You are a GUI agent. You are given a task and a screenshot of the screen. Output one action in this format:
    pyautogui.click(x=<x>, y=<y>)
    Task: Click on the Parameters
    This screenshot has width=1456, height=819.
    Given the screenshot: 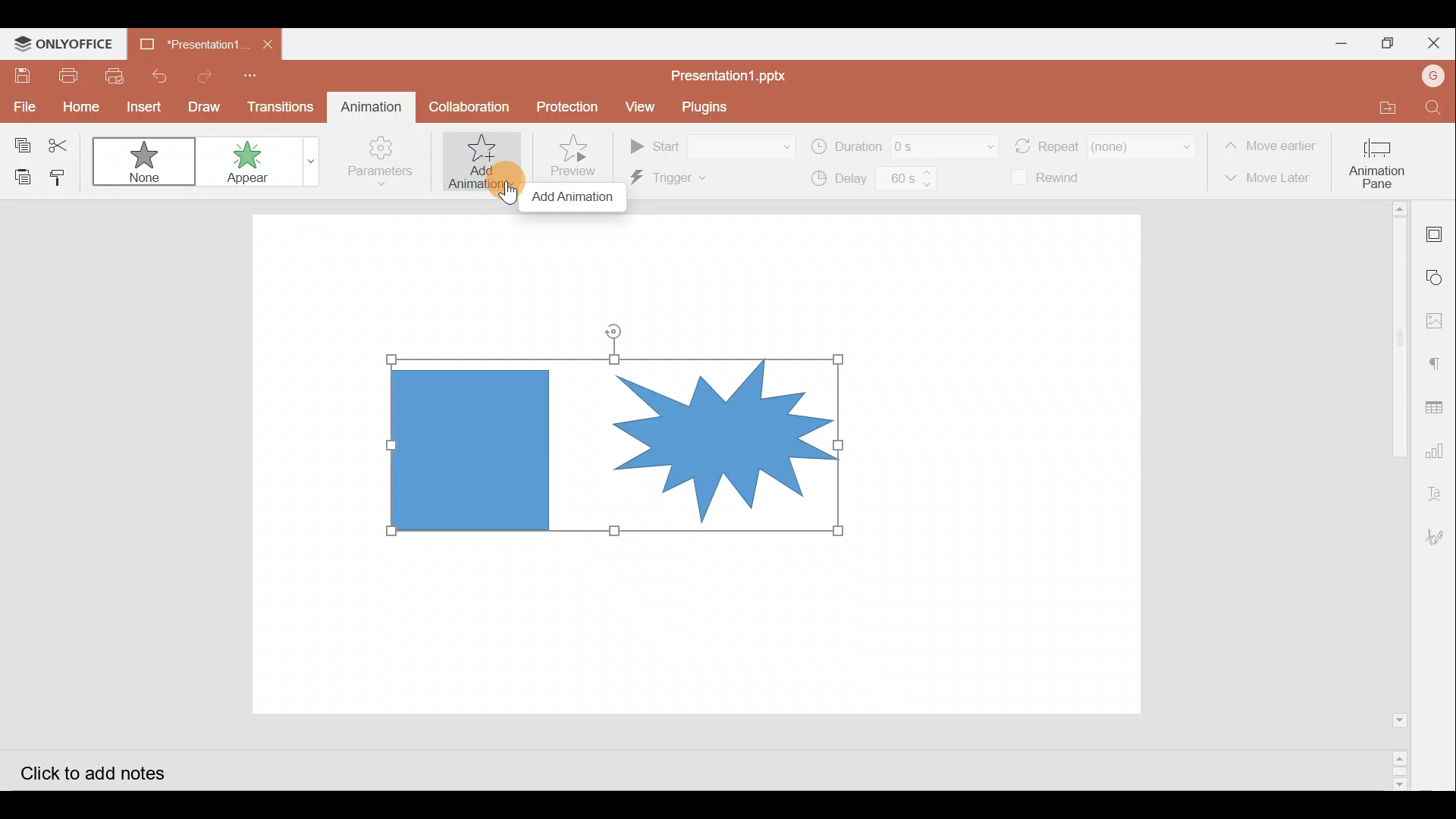 What is the action you would take?
    pyautogui.click(x=378, y=165)
    